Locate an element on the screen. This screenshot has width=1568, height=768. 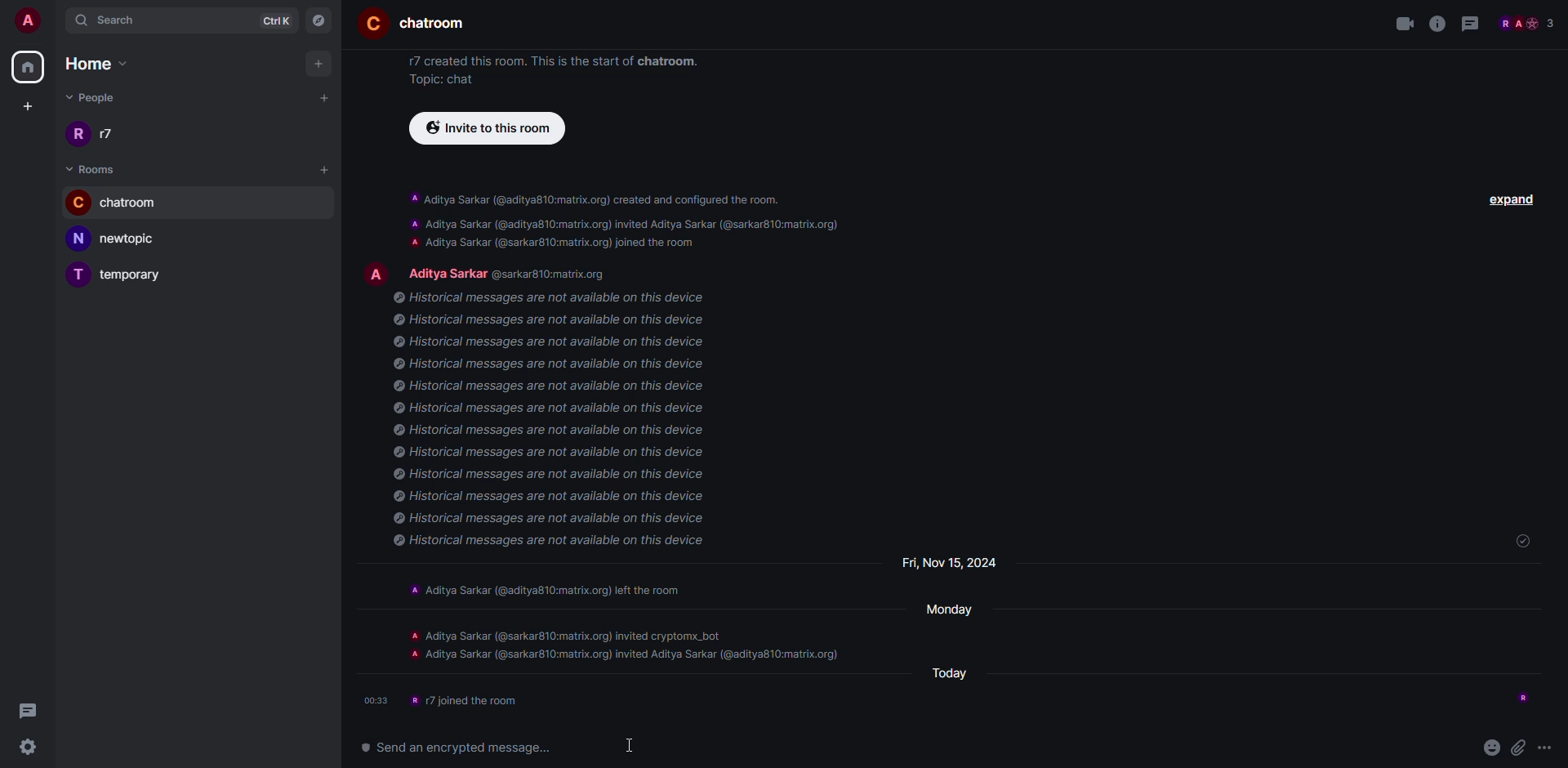
navigator is located at coordinates (318, 19).